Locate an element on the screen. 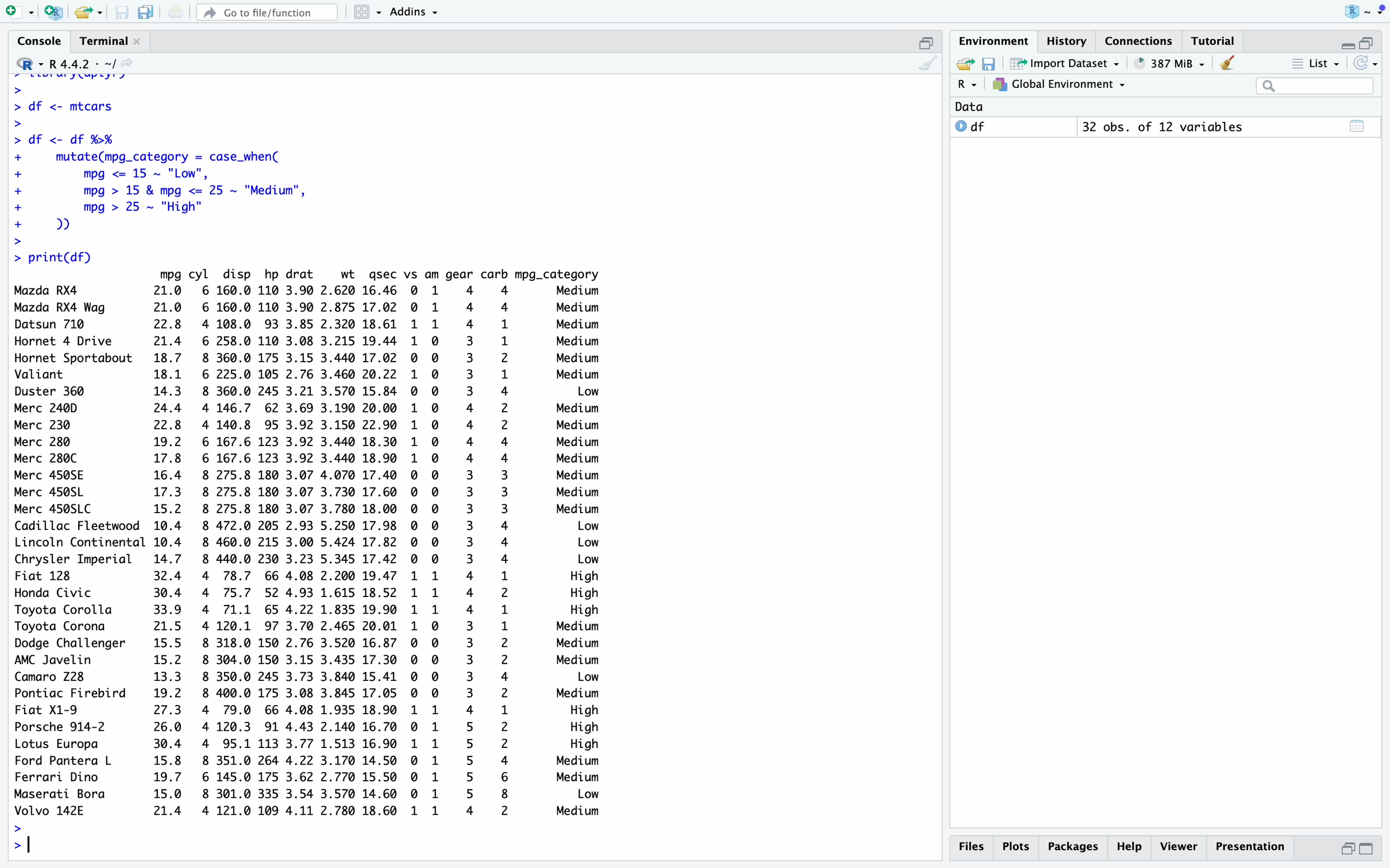 This screenshot has height=868, width=1390. files is located at coordinates (972, 848).